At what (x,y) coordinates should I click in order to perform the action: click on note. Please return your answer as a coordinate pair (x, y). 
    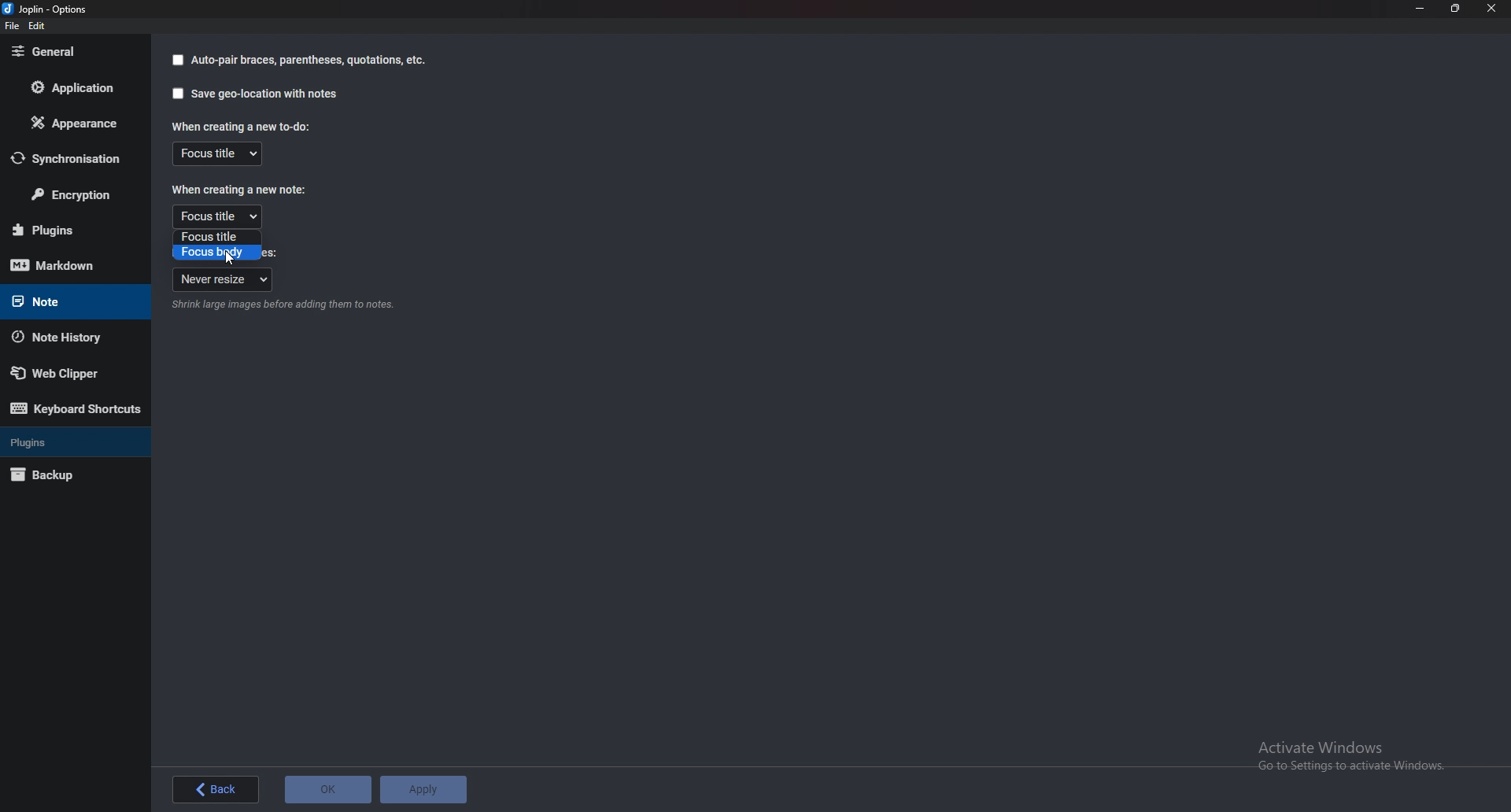
    Looking at the image, I should click on (68, 301).